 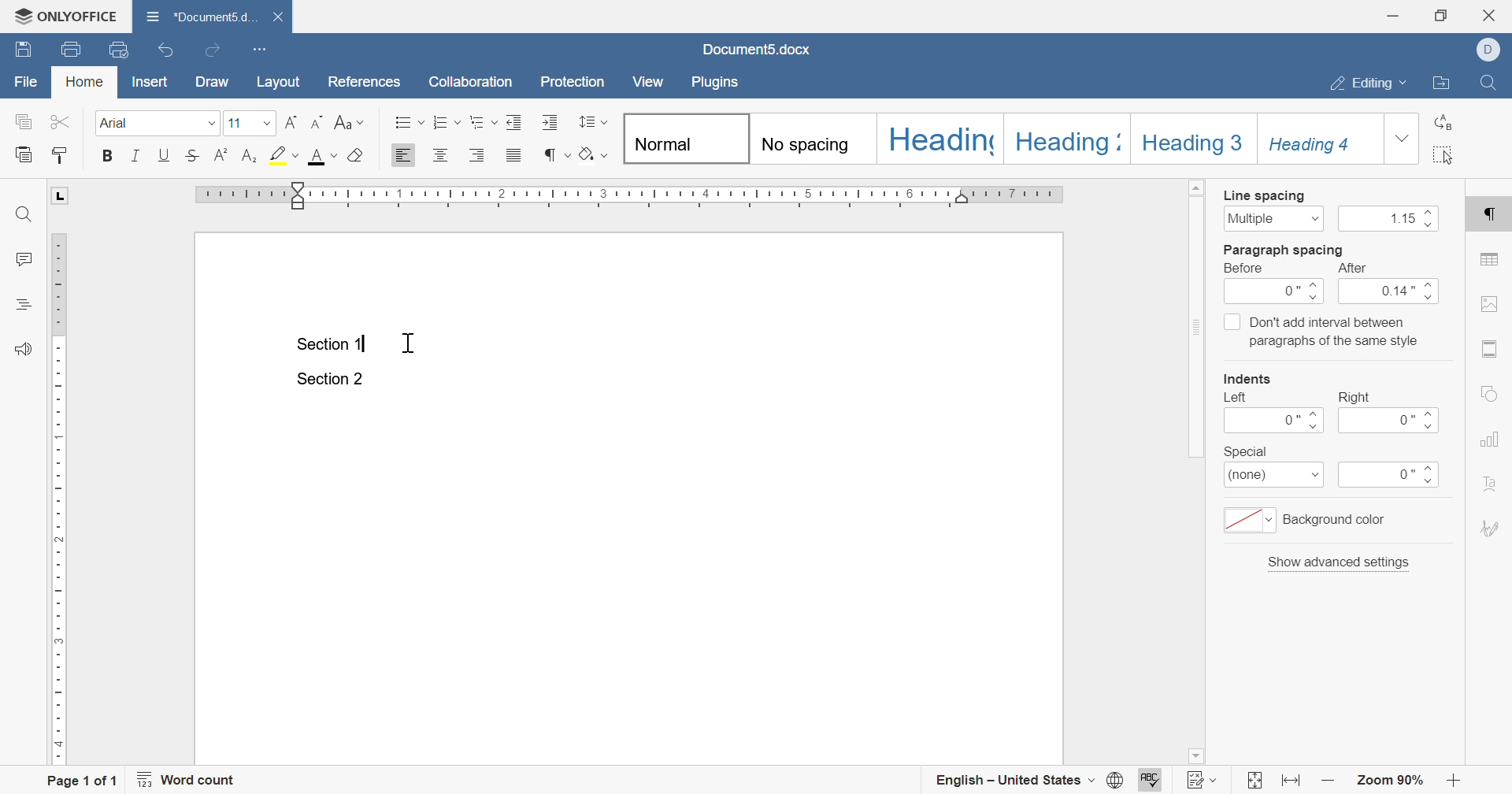 What do you see at coordinates (1456, 780) in the screenshot?
I see `zoom out` at bounding box center [1456, 780].